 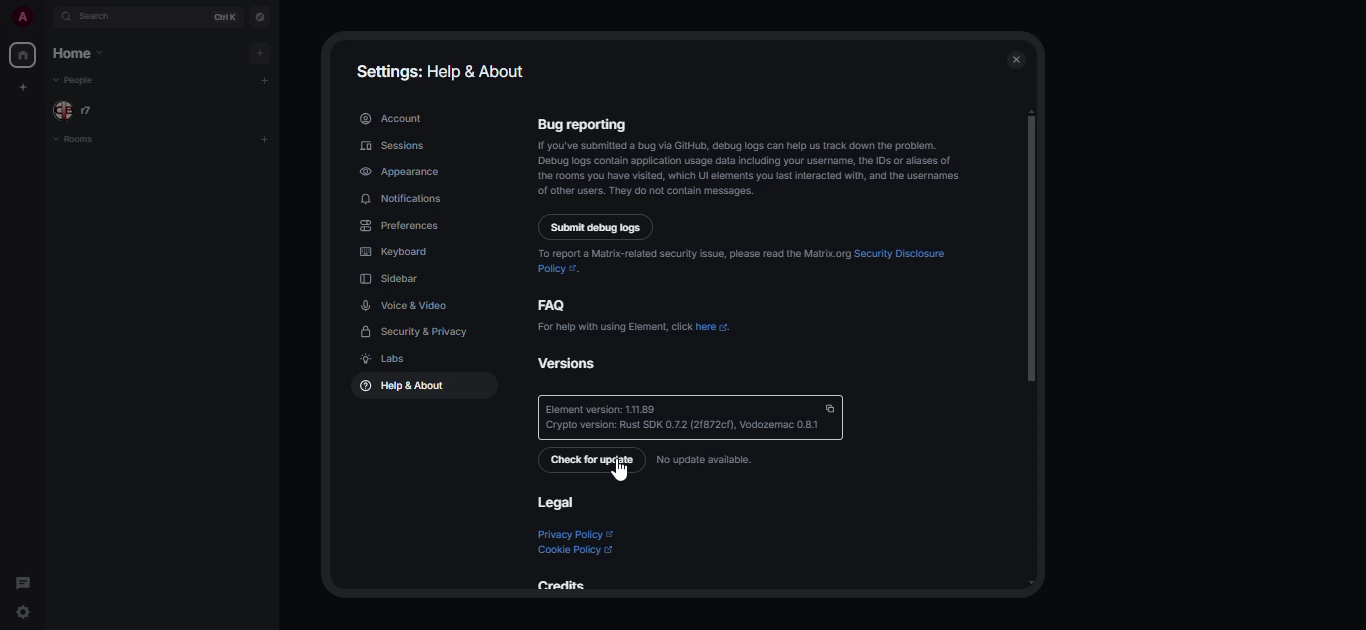 What do you see at coordinates (404, 199) in the screenshot?
I see `notifications` at bounding box center [404, 199].